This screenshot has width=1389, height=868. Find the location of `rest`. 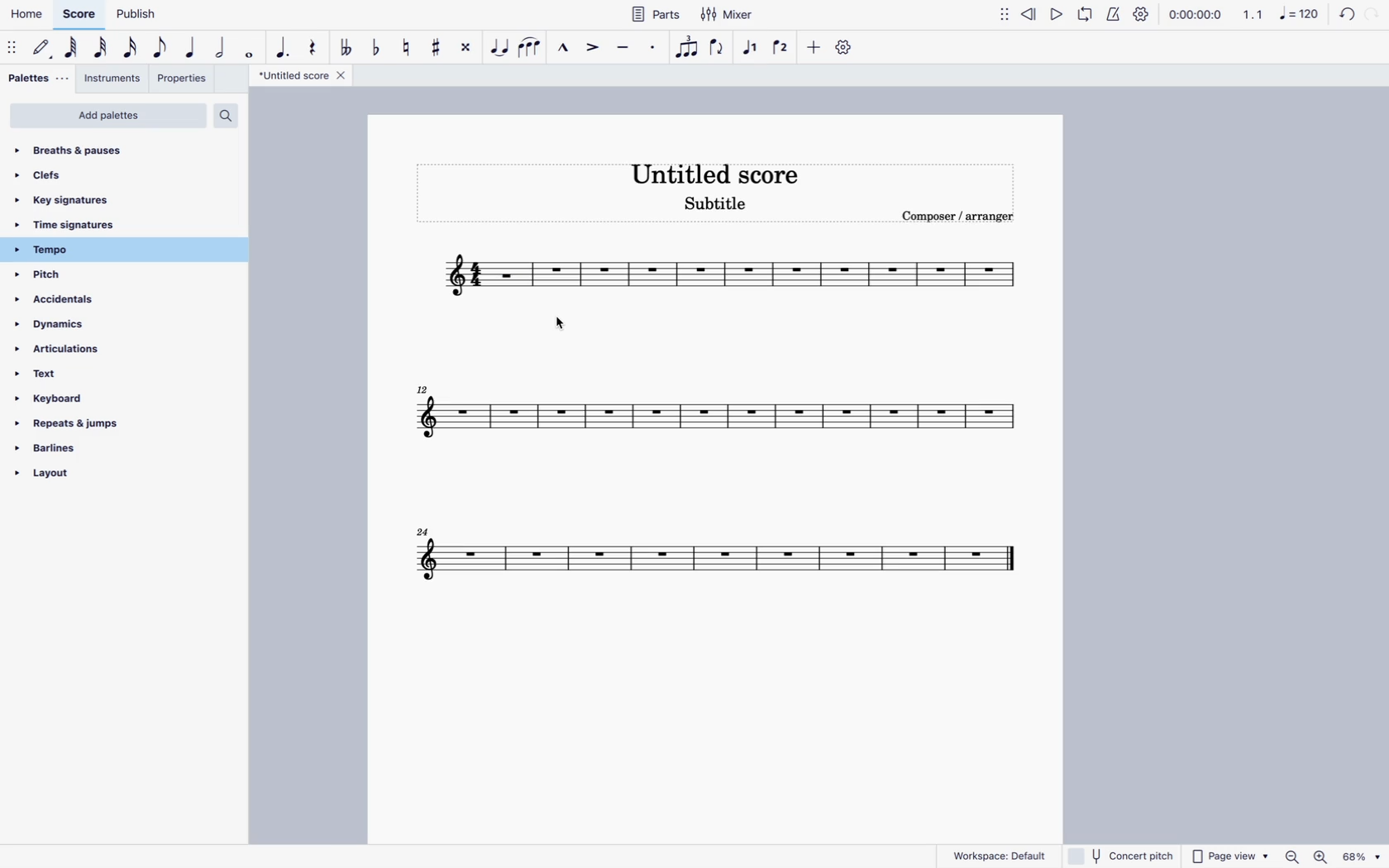

rest is located at coordinates (316, 48).